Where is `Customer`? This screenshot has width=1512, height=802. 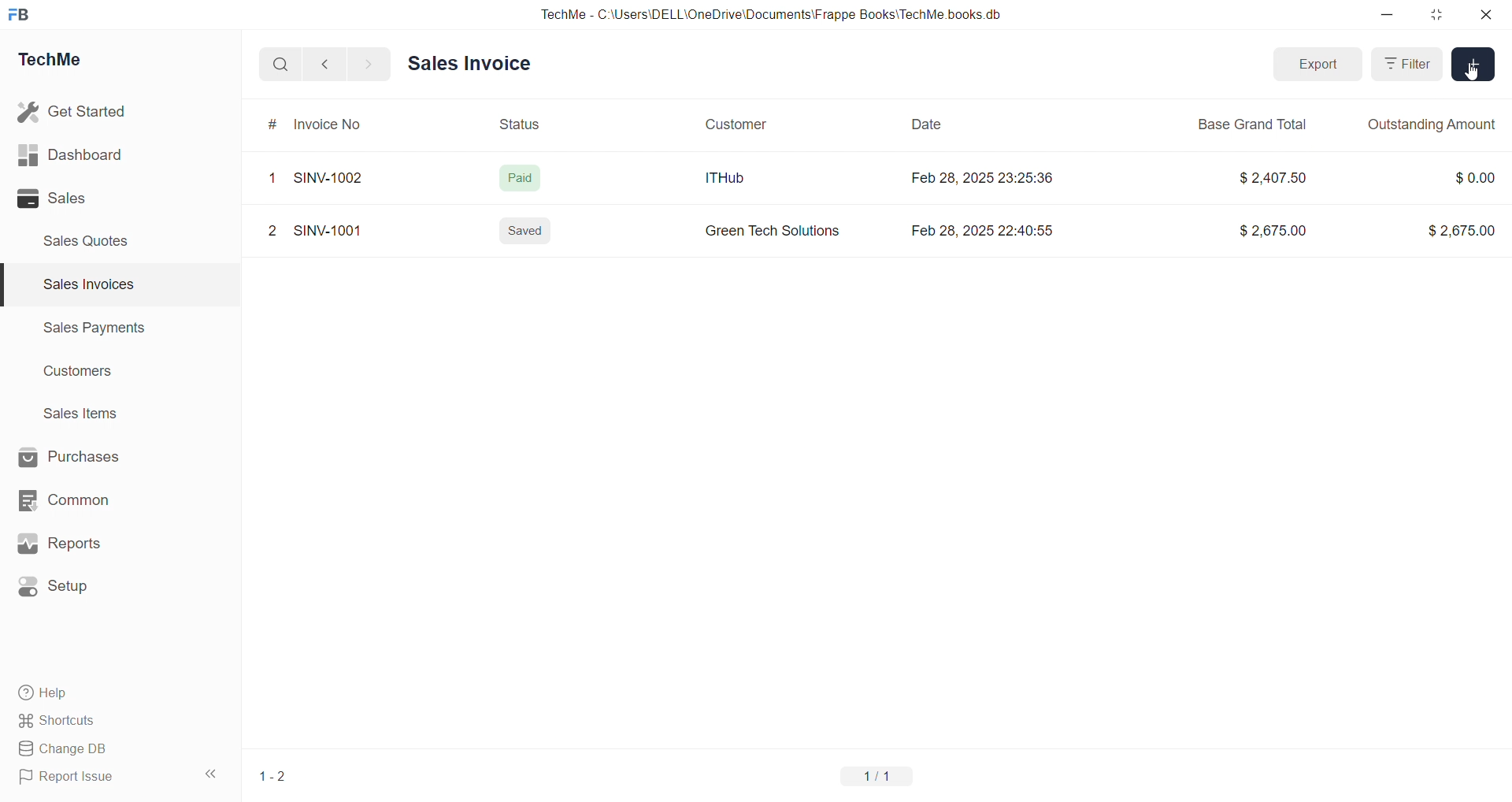 Customer is located at coordinates (744, 122).